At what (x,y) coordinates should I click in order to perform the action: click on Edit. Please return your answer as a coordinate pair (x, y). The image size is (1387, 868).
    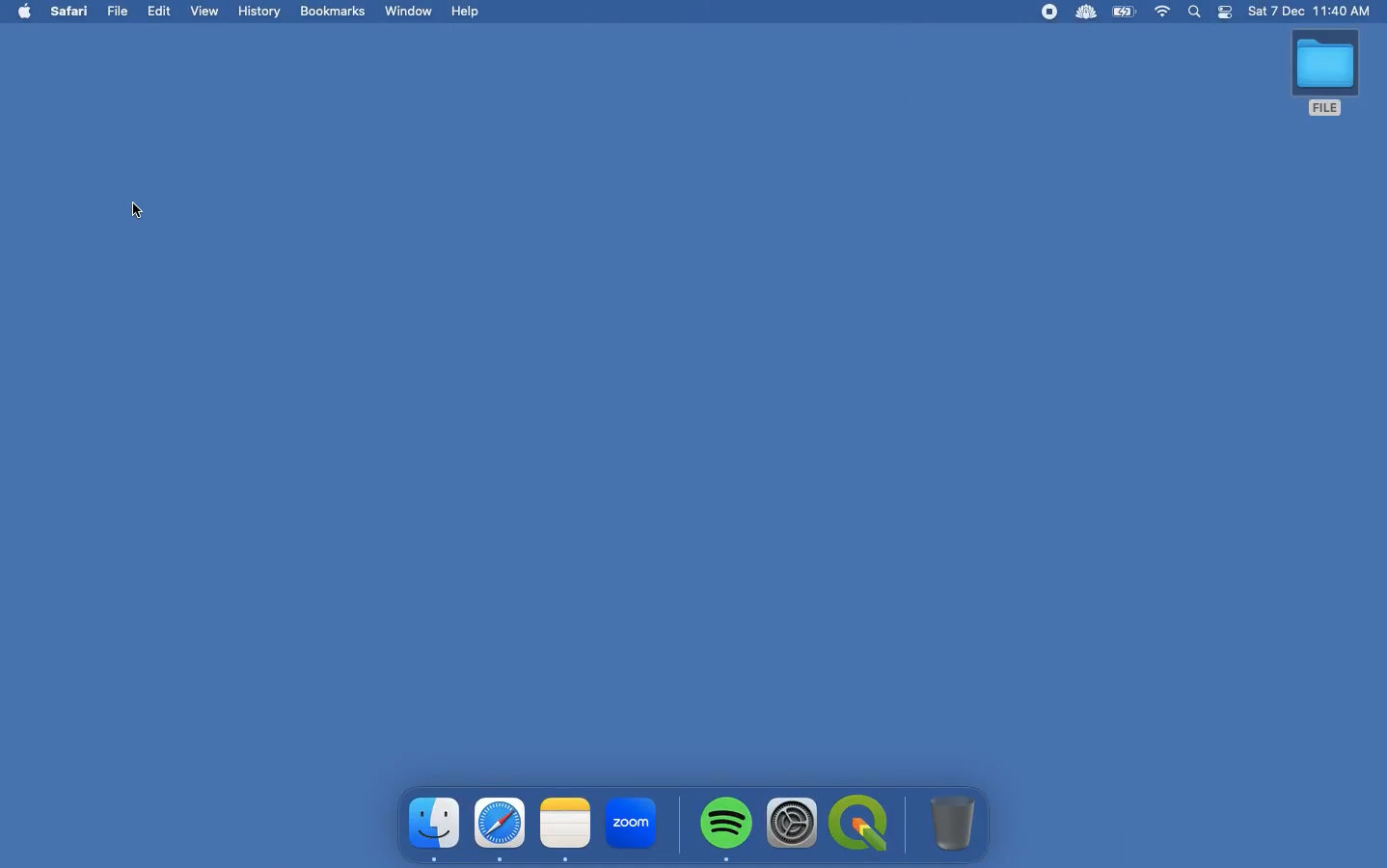
    Looking at the image, I should click on (160, 12).